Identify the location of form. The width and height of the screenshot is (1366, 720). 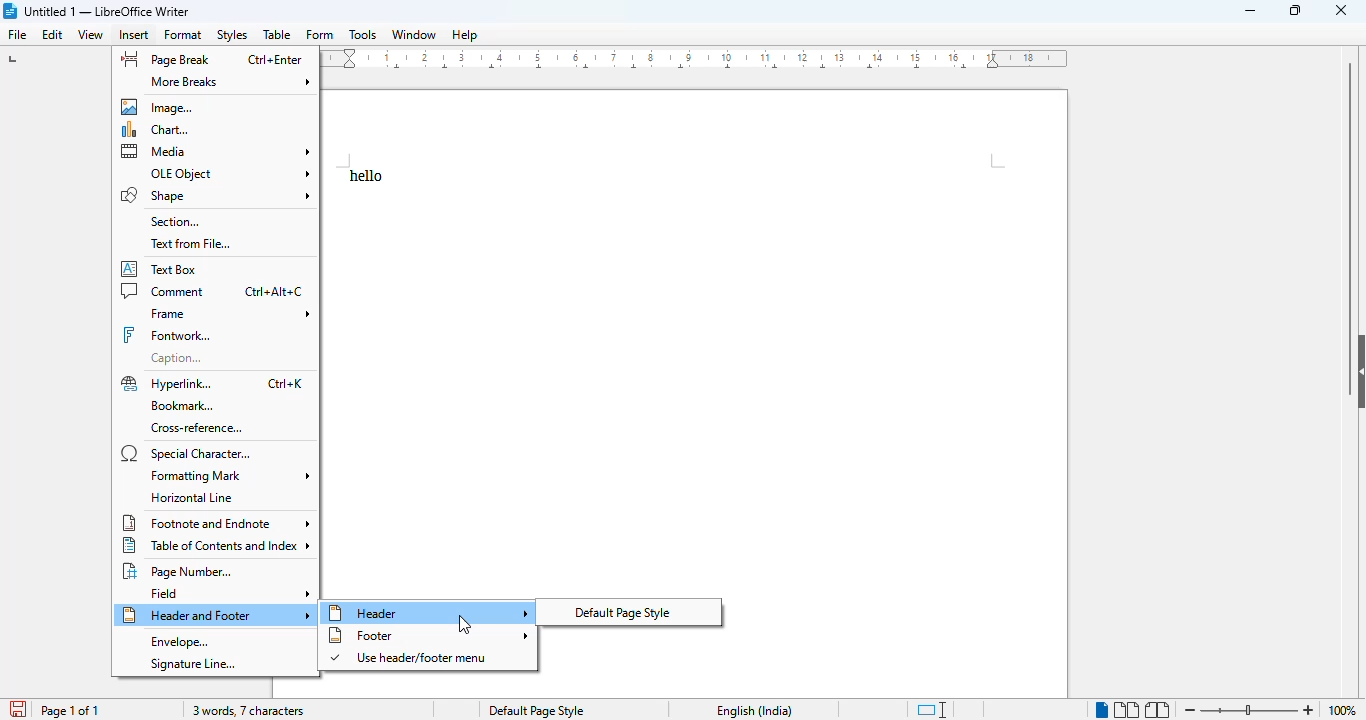
(320, 34).